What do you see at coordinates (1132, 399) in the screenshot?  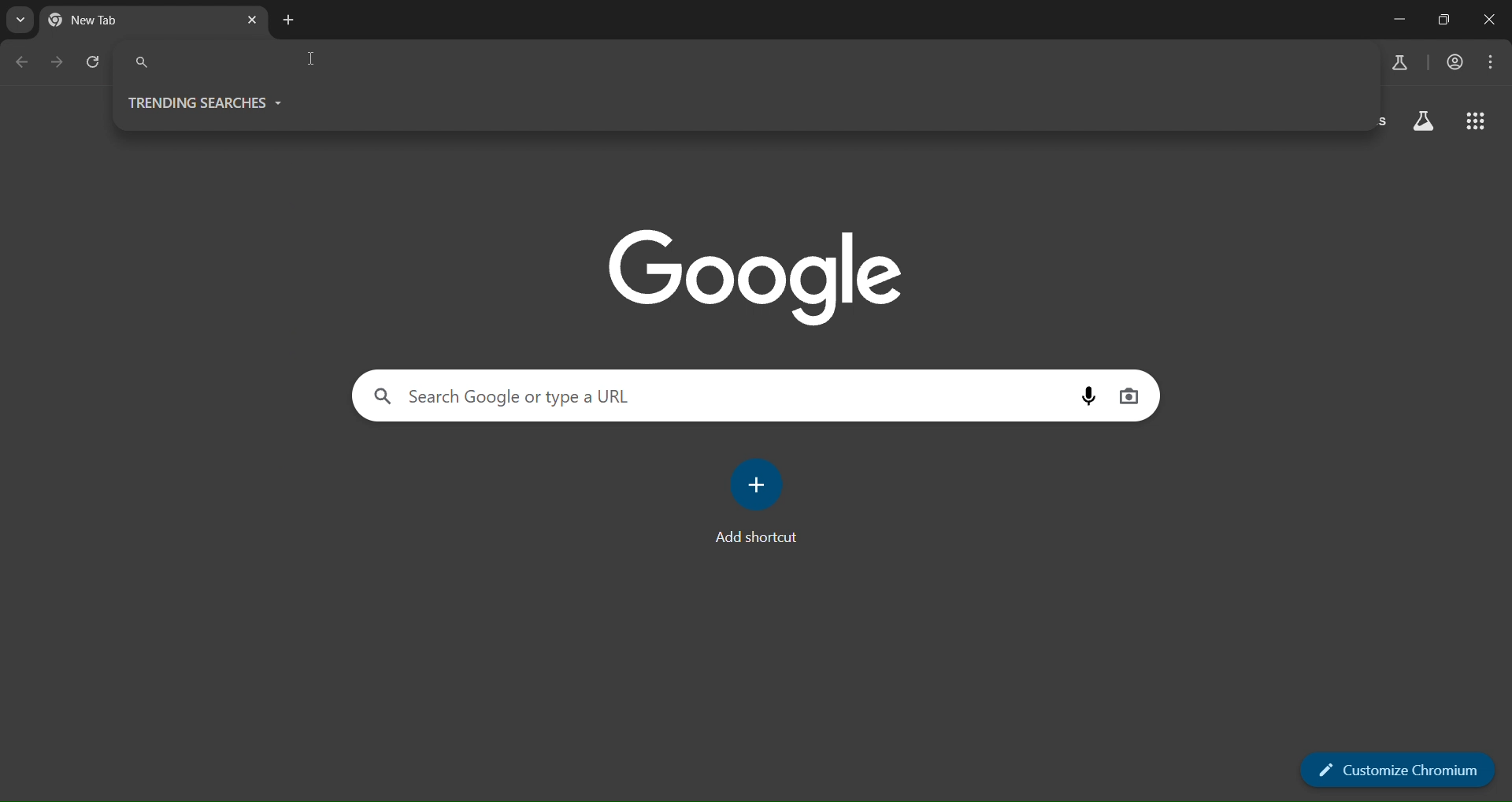 I see `image search` at bounding box center [1132, 399].